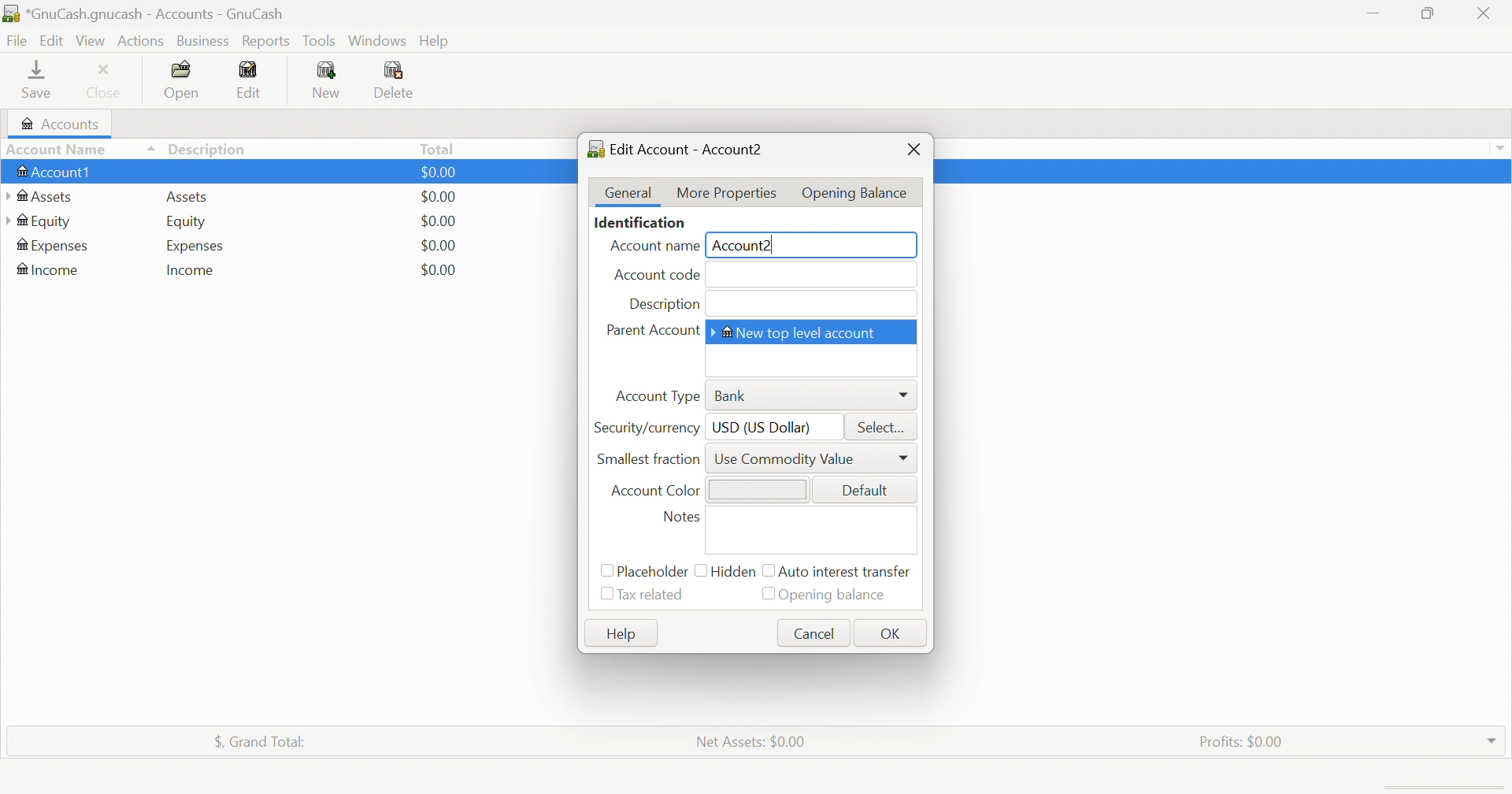 The height and width of the screenshot is (794, 1512). Describe the element at coordinates (646, 429) in the screenshot. I see `Security/currency` at that location.